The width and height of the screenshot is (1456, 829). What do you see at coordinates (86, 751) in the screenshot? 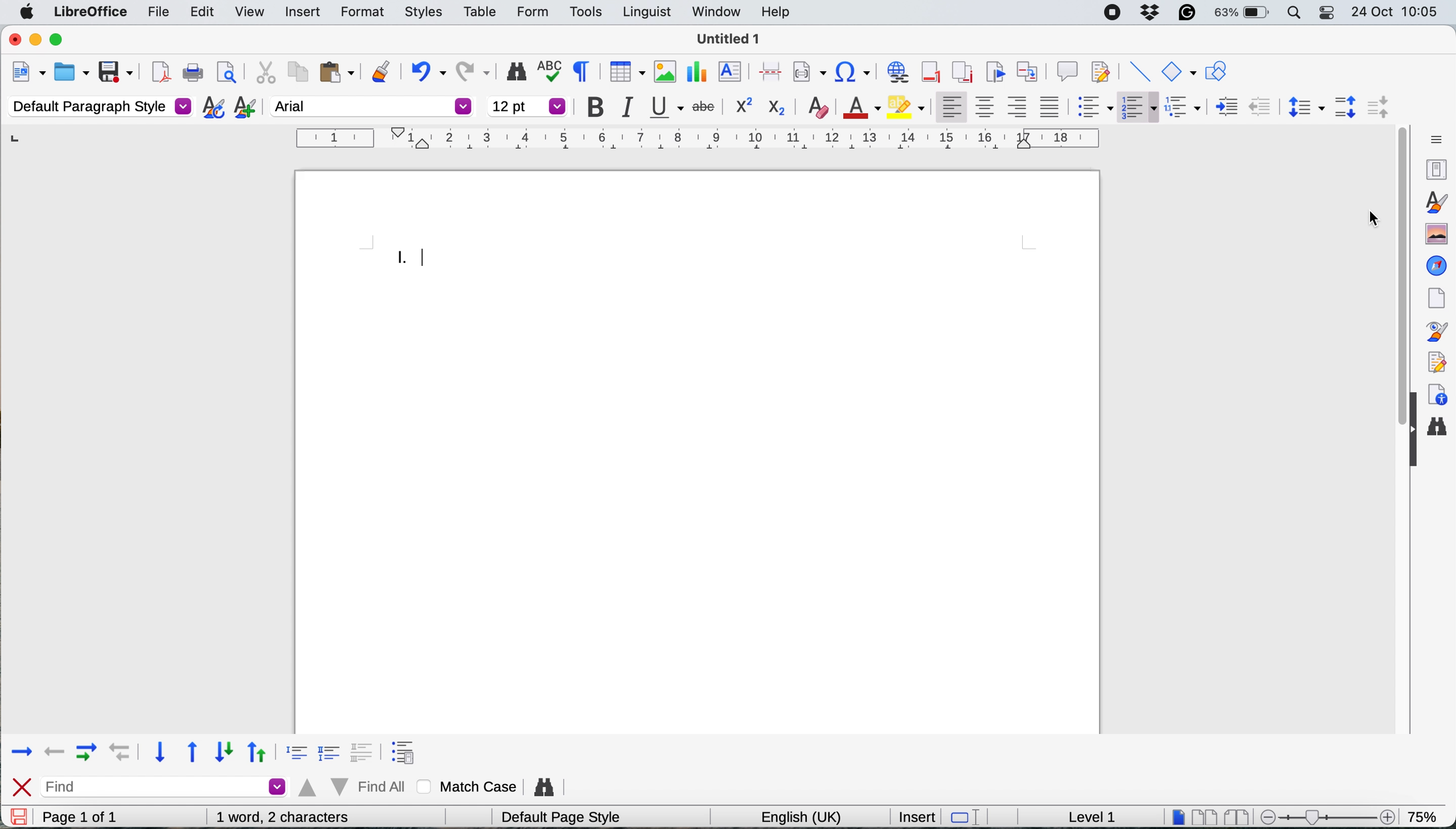
I see `forward with indent` at bounding box center [86, 751].